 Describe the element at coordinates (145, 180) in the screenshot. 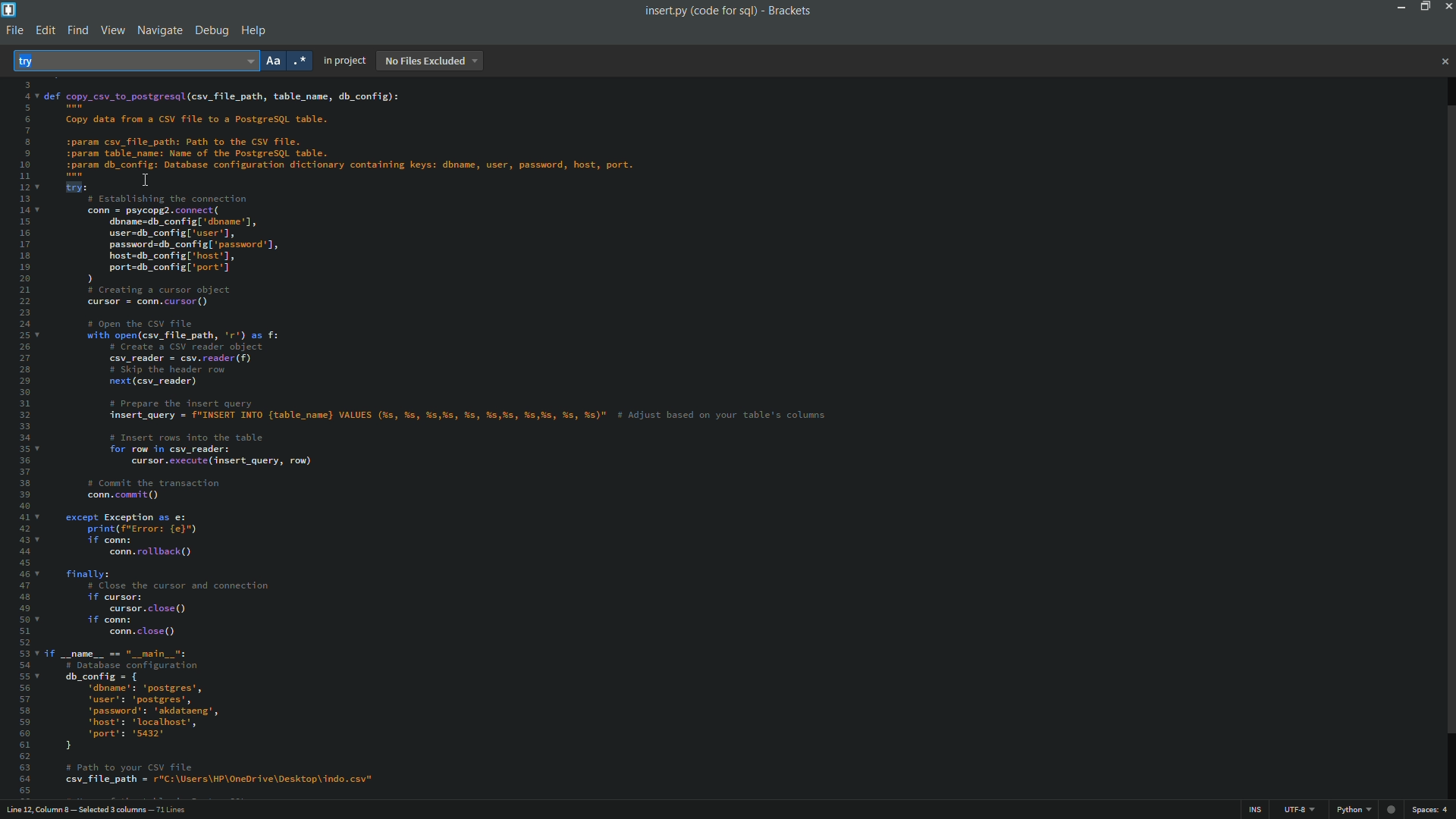

I see `cursor` at that location.